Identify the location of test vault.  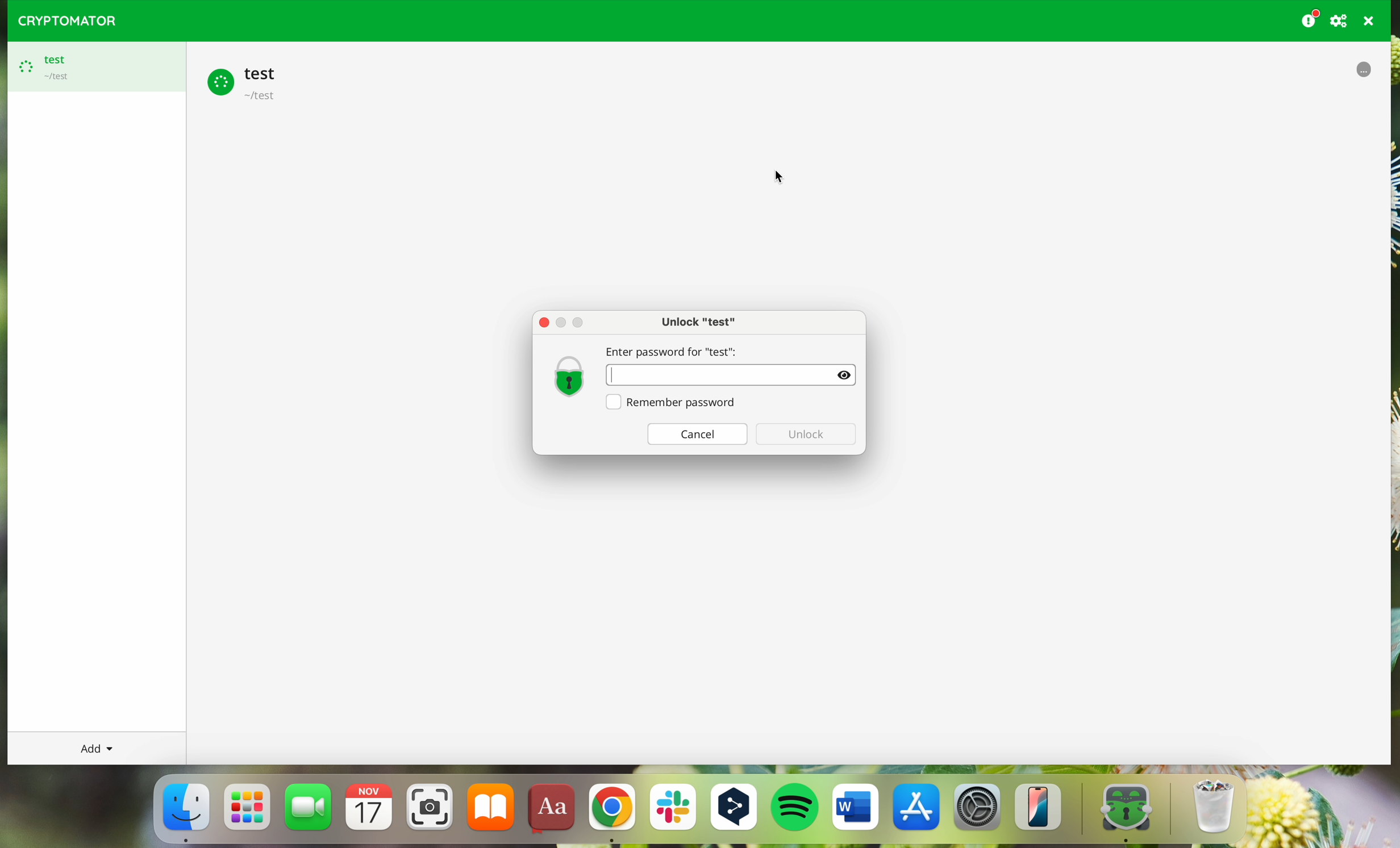
(93, 67).